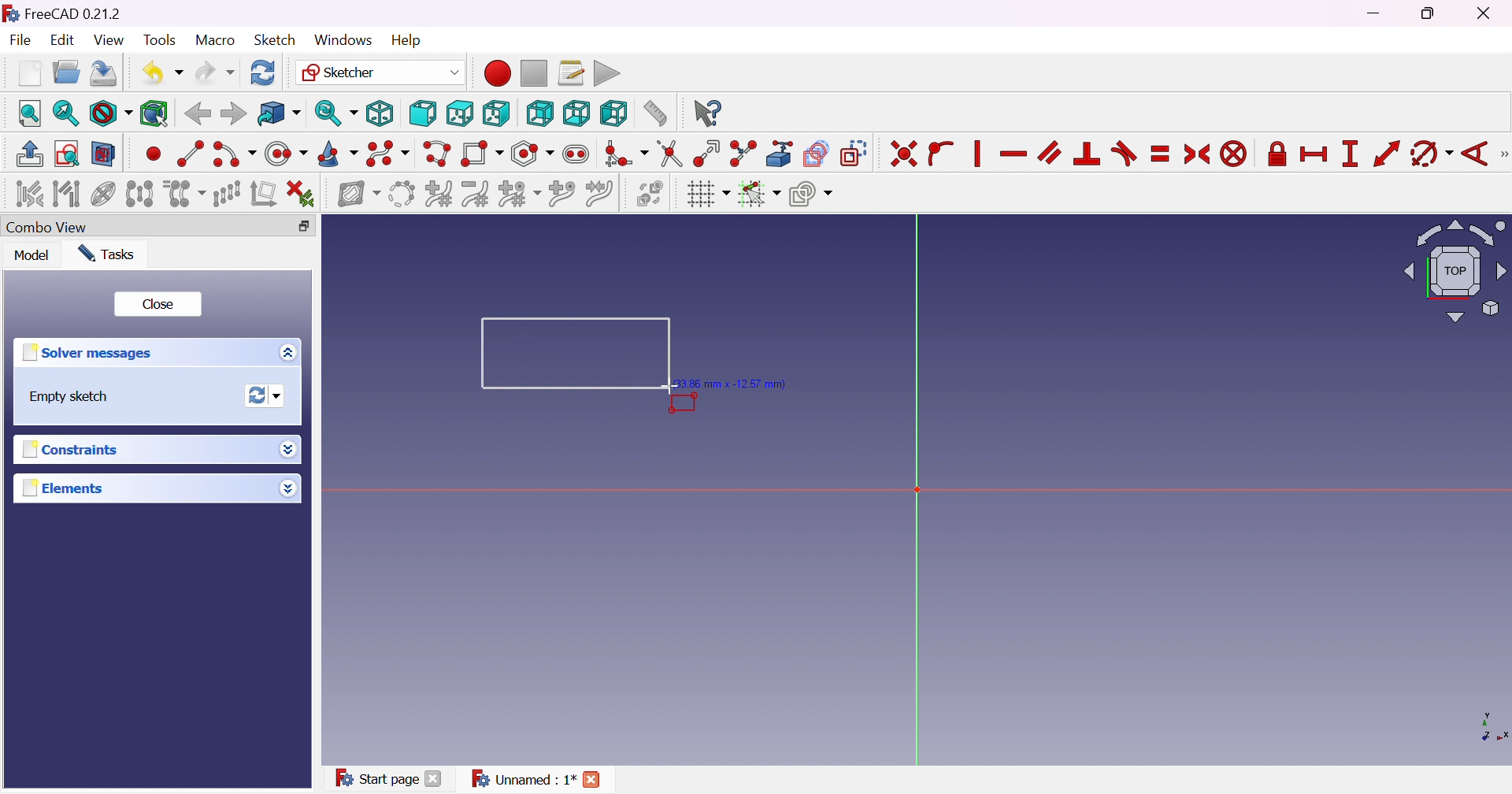 Image resolution: width=1512 pixels, height=794 pixels. I want to click on Constrain parallel, so click(1051, 153).